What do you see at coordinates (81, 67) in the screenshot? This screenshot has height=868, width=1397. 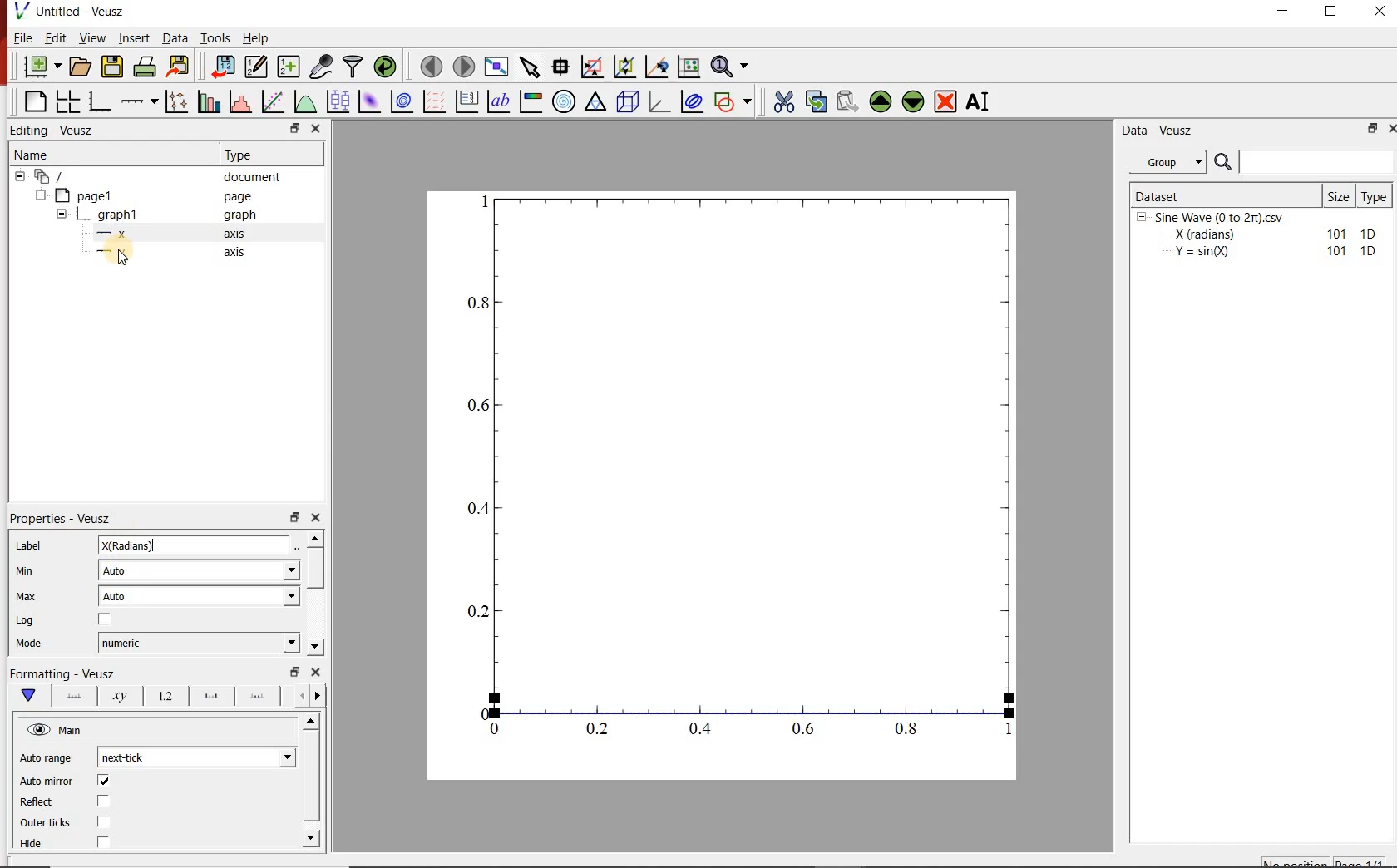 I see `open document` at bounding box center [81, 67].